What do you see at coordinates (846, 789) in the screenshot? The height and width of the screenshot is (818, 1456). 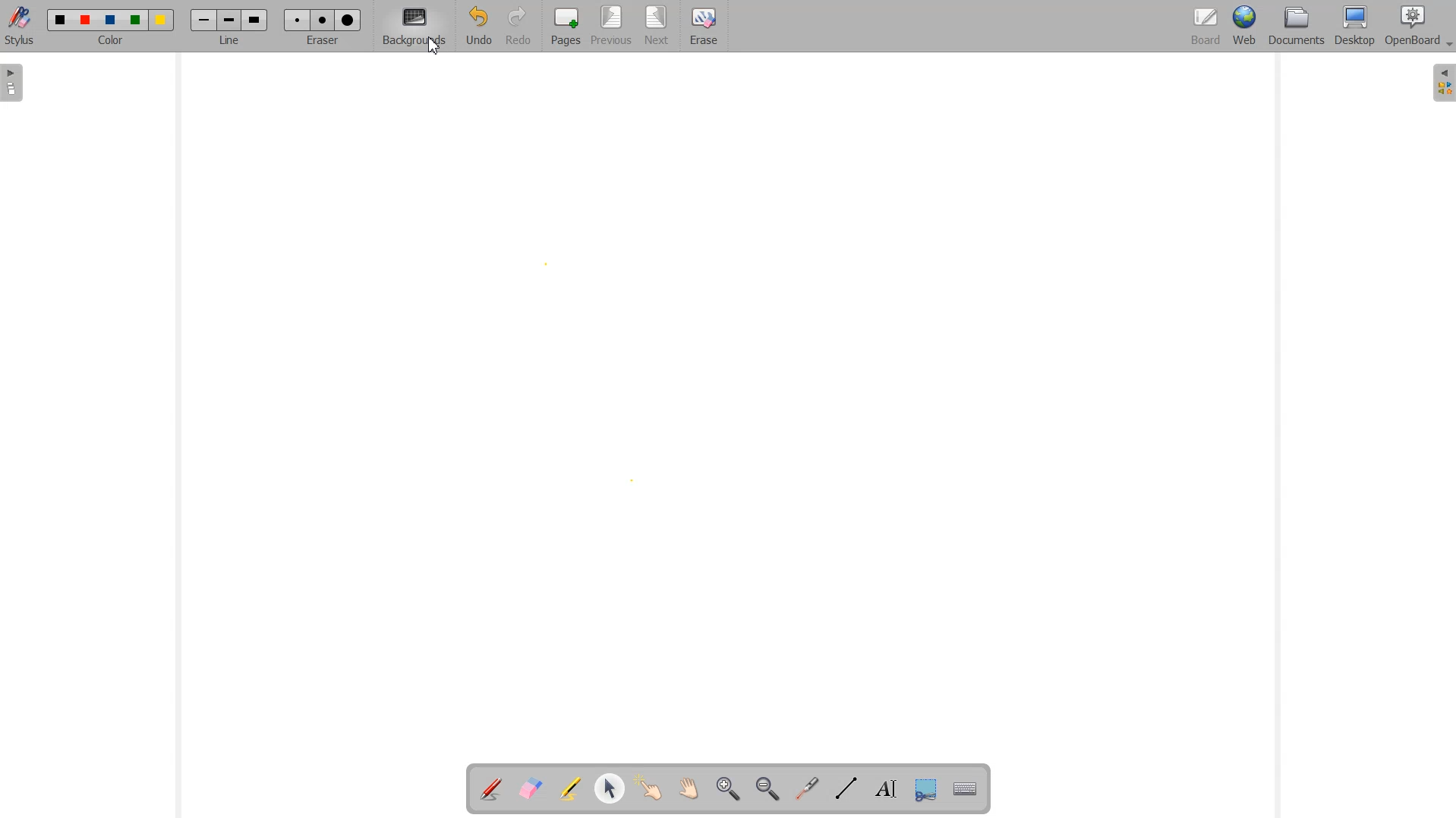 I see `Draw Lines` at bounding box center [846, 789].